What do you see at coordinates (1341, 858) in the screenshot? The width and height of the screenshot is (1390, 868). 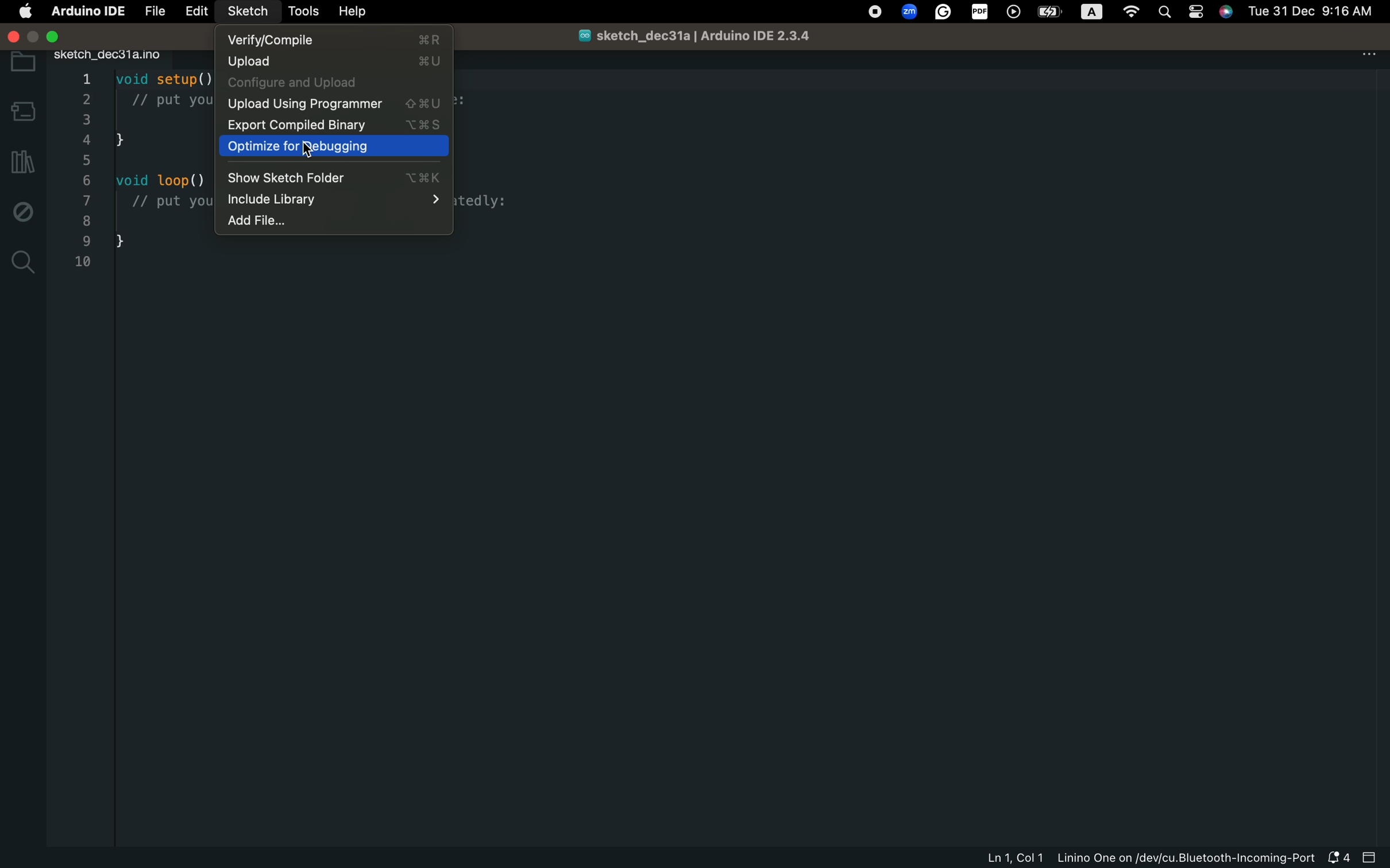 I see `notification` at bounding box center [1341, 858].